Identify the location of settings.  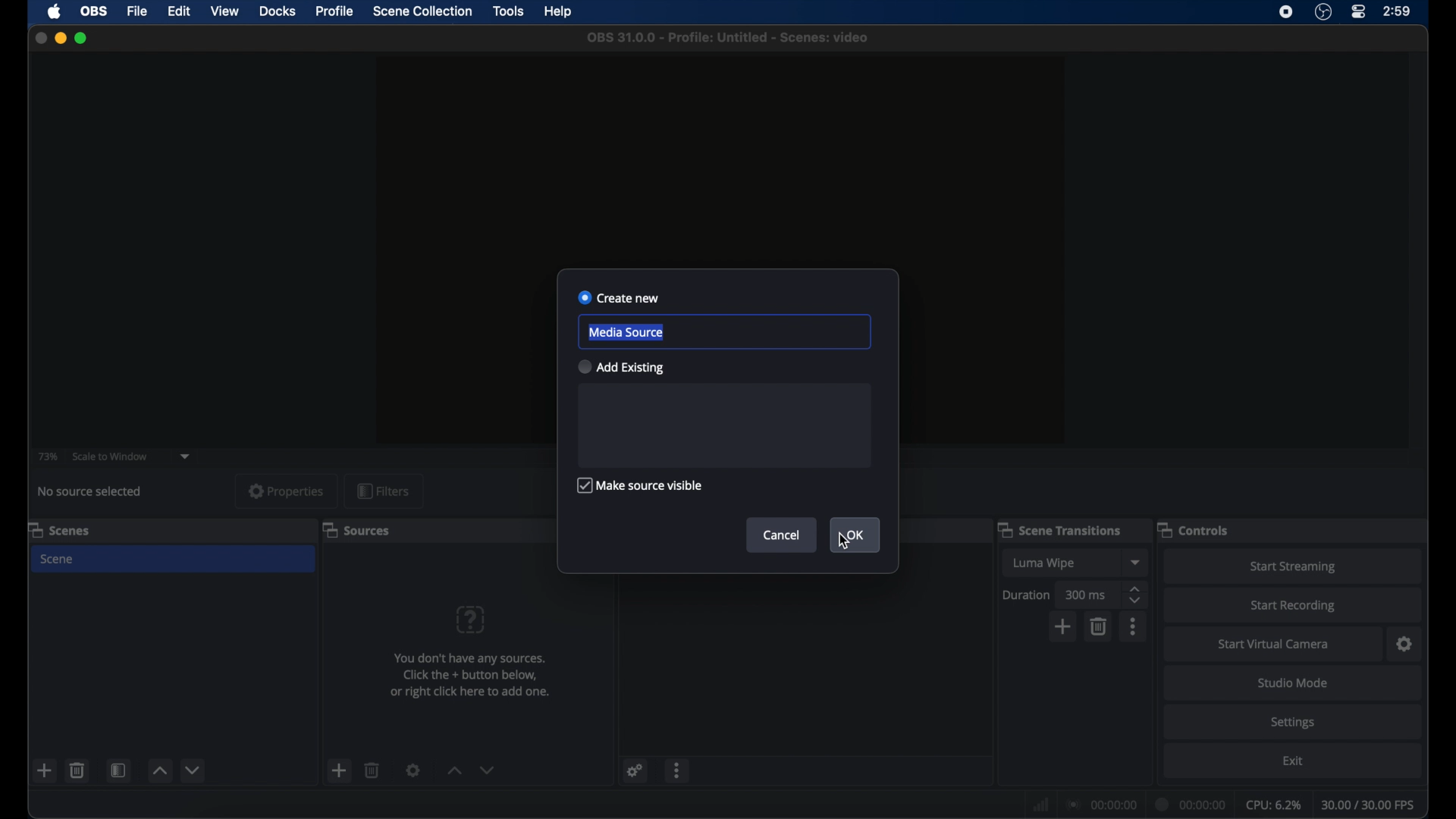
(1293, 723).